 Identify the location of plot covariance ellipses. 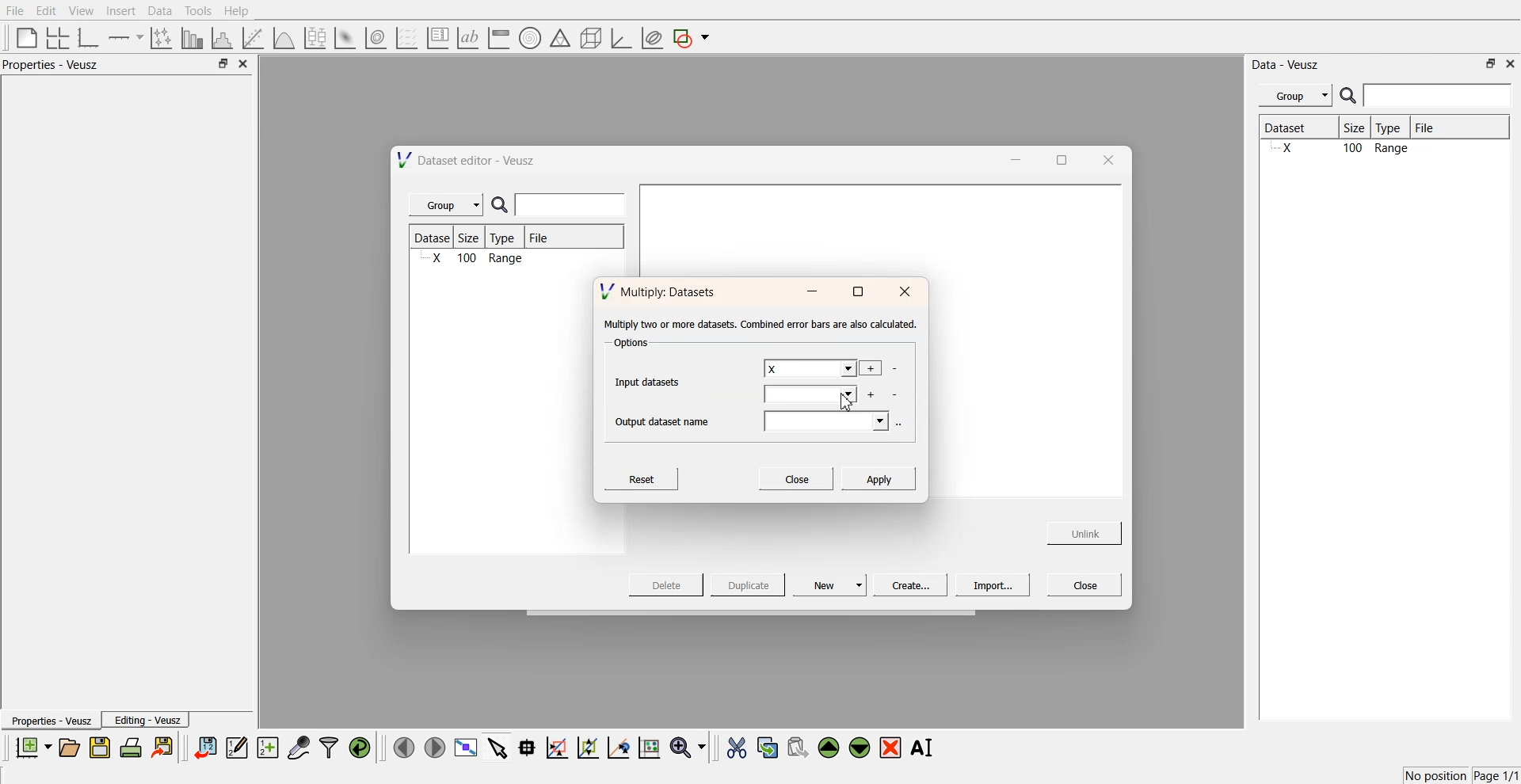
(651, 39).